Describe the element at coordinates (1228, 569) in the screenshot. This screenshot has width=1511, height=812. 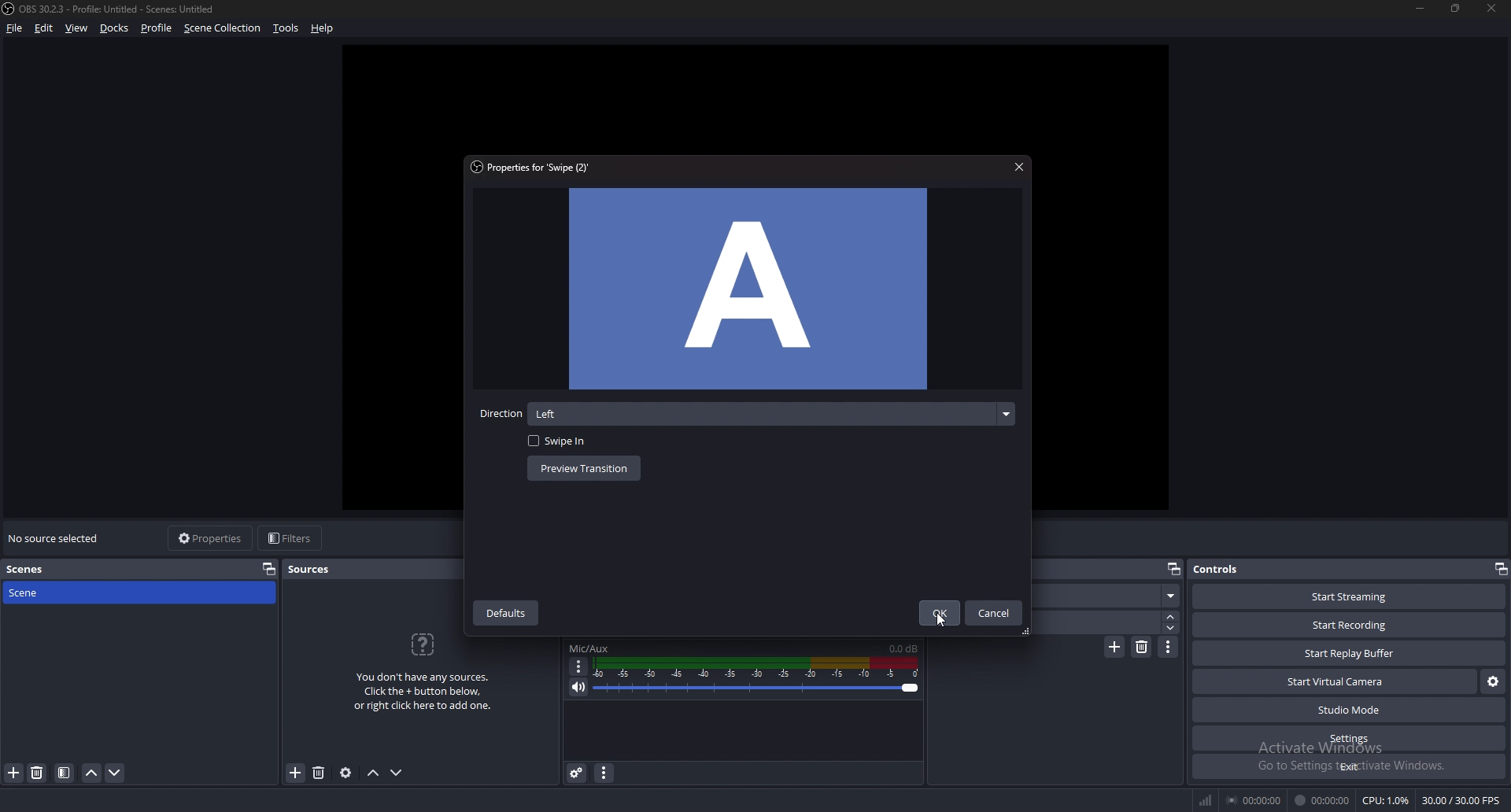
I see `controls` at that location.